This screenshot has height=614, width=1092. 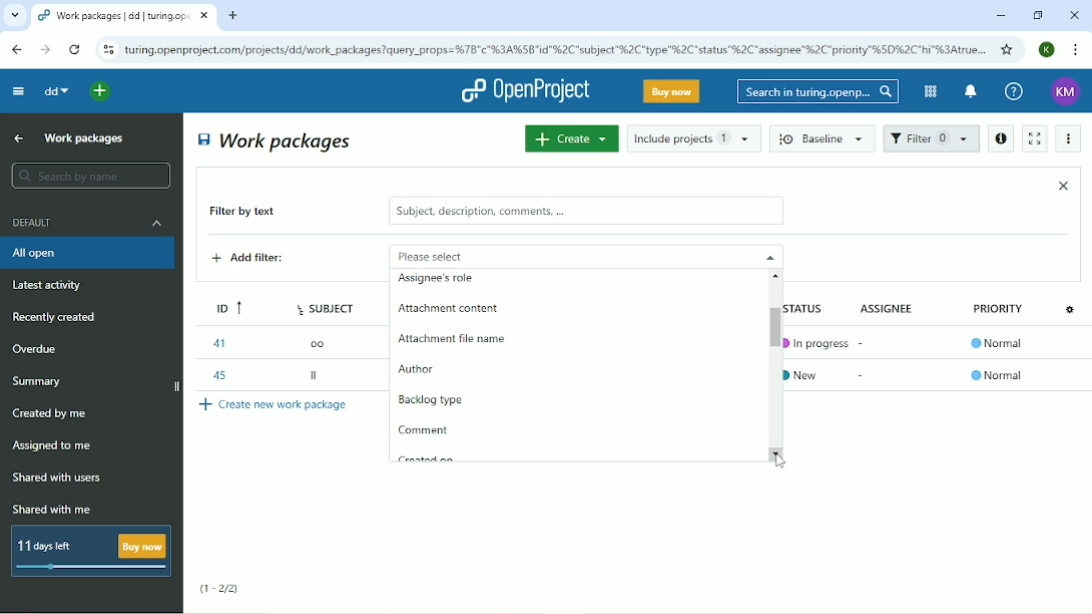 I want to click on Include projects 1, so click(x=694, y=138).